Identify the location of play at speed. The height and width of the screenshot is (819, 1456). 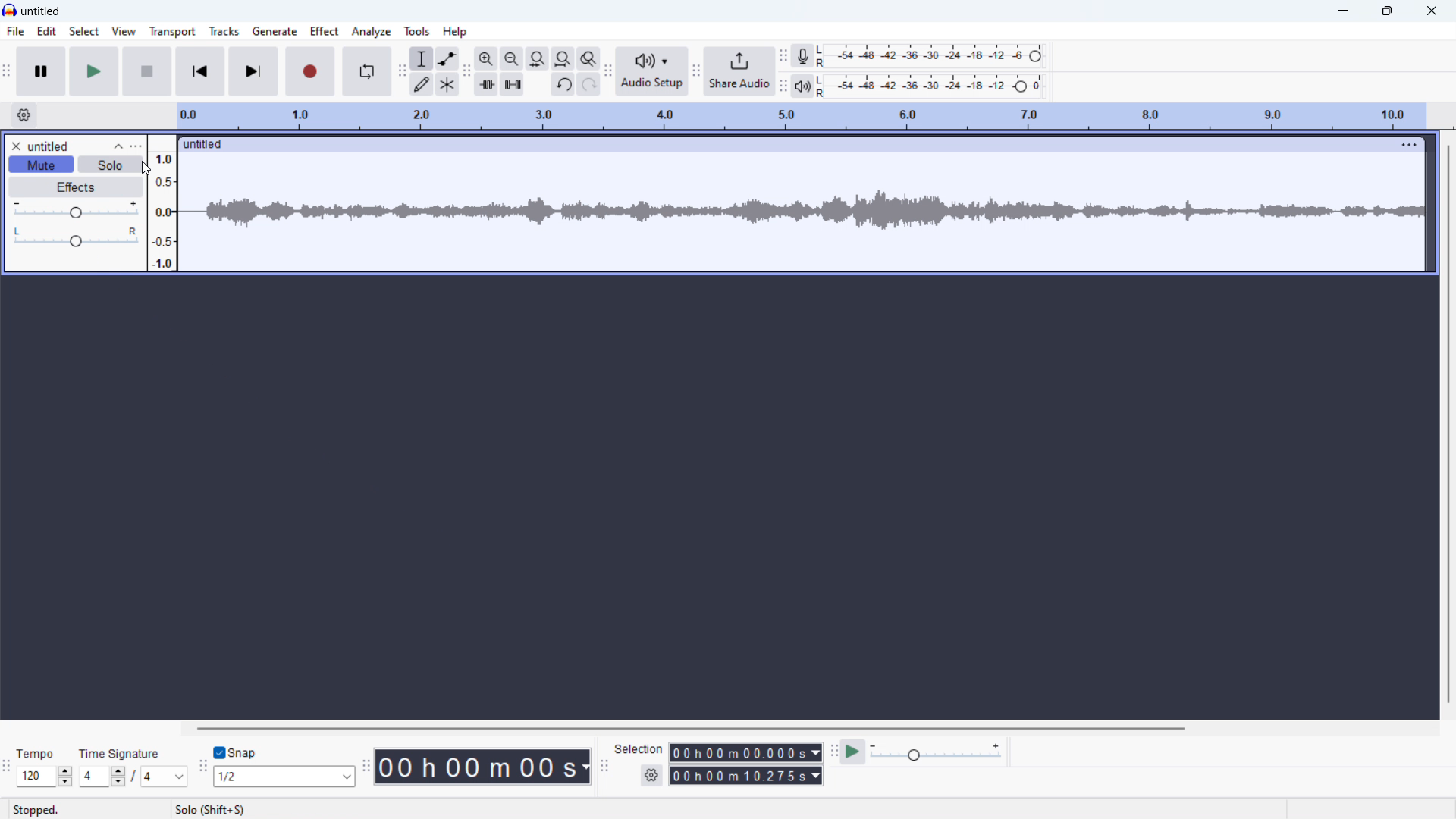
(854, 752).